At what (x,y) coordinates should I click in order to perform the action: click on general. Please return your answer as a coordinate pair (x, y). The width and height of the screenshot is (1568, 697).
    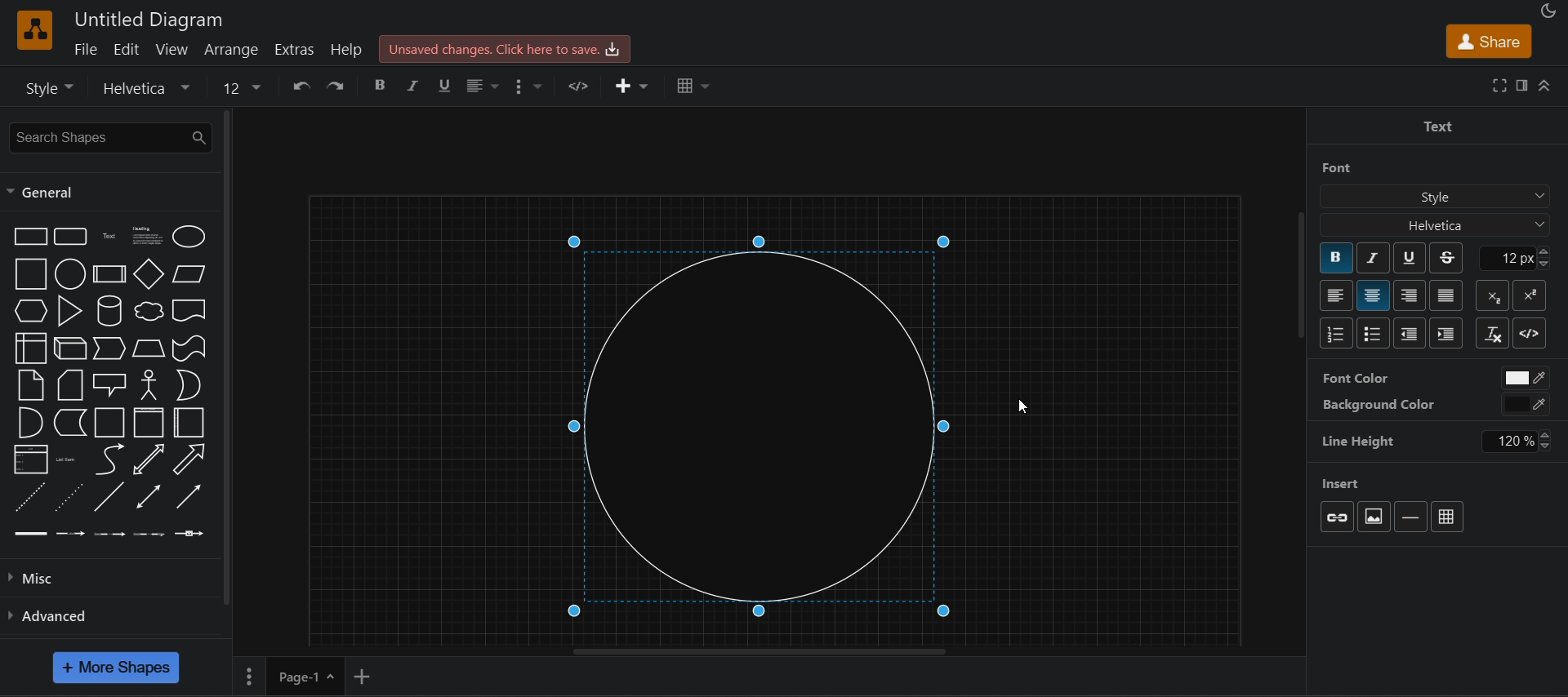
    Looking at the image, I should click on (40, 193).